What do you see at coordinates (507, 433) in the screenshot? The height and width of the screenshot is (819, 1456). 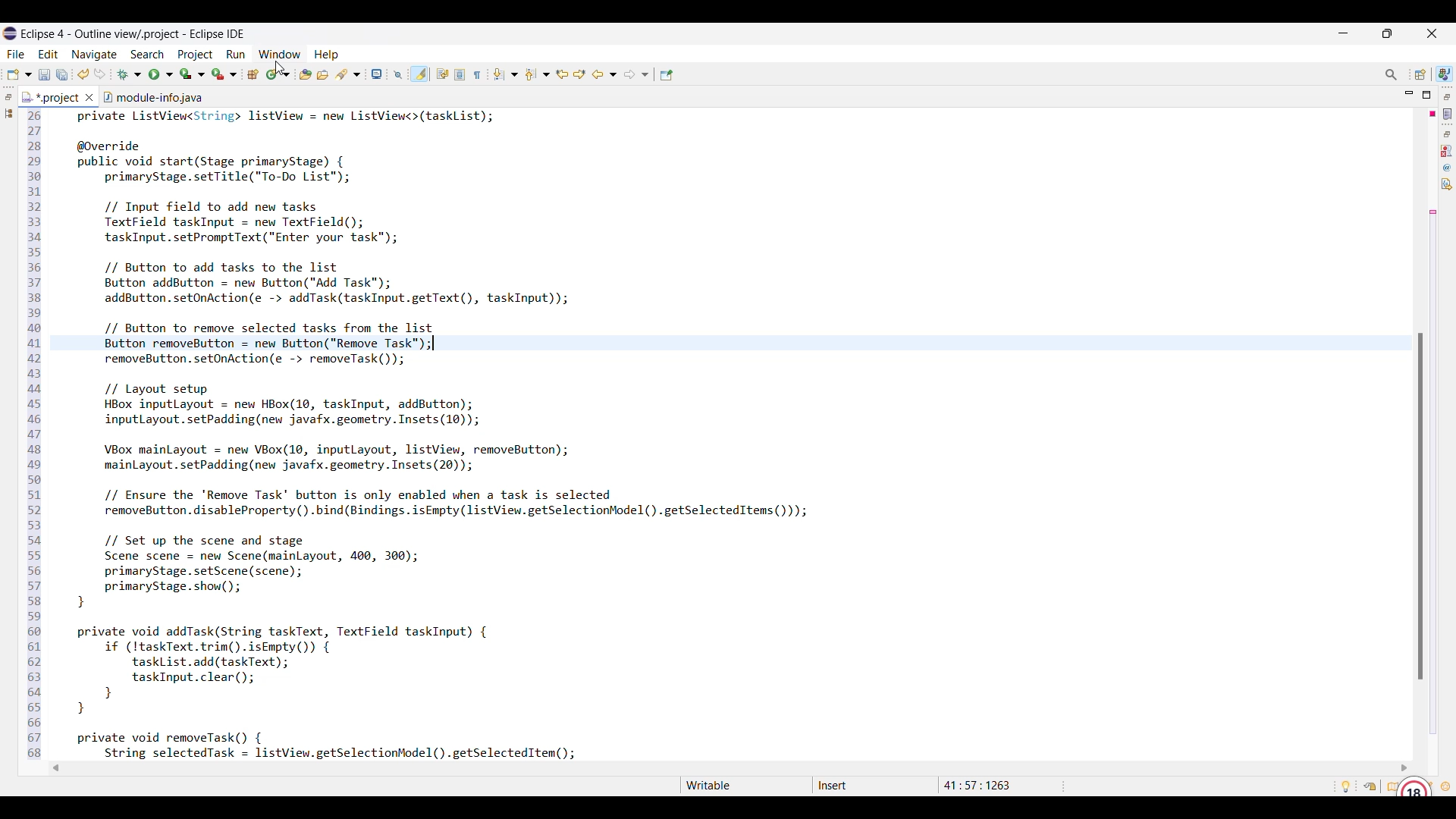 I see `Code in current tab` at bounding box center [507, 433].